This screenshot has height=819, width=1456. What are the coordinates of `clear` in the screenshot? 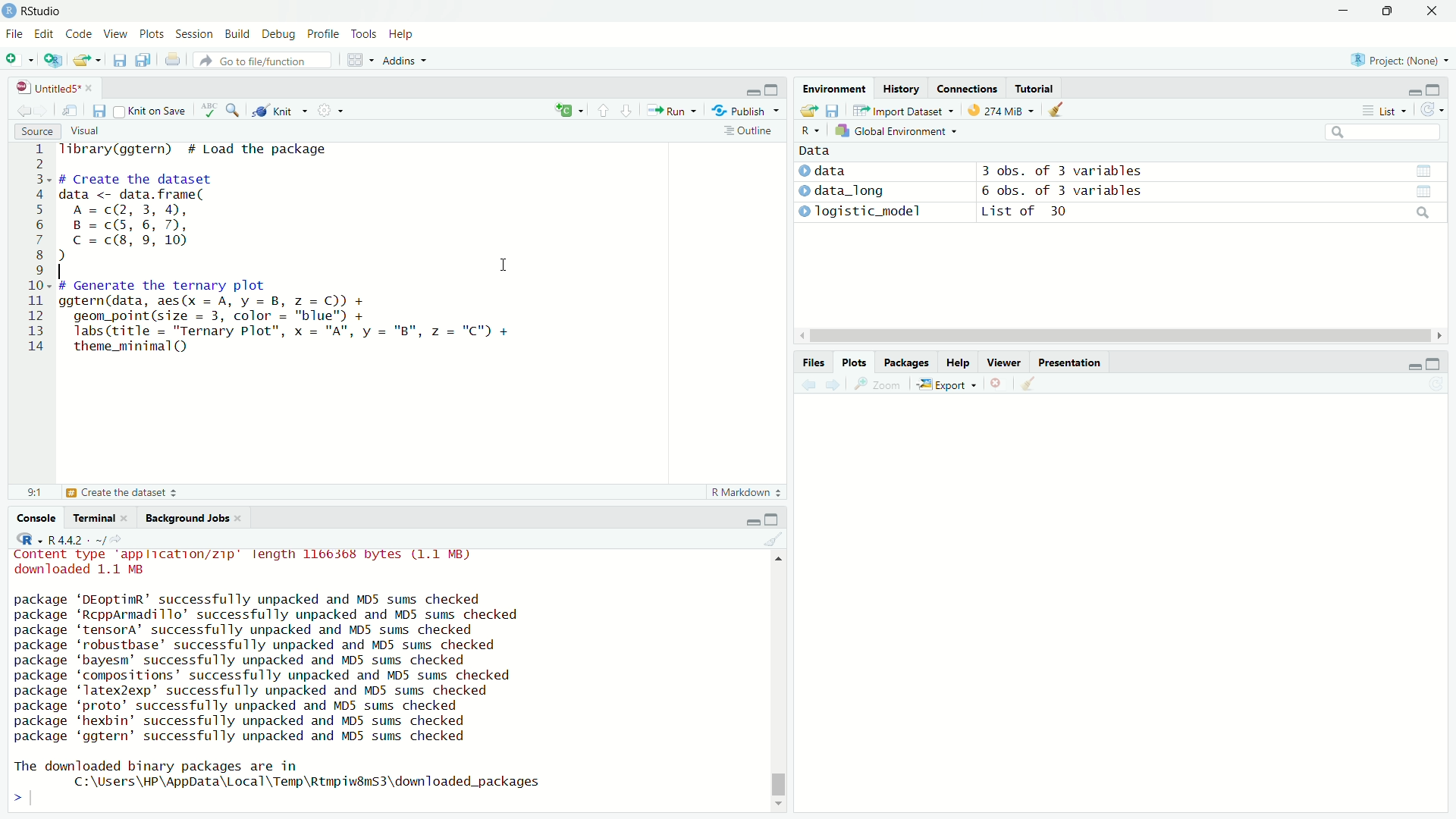 It's located at (773, 541).